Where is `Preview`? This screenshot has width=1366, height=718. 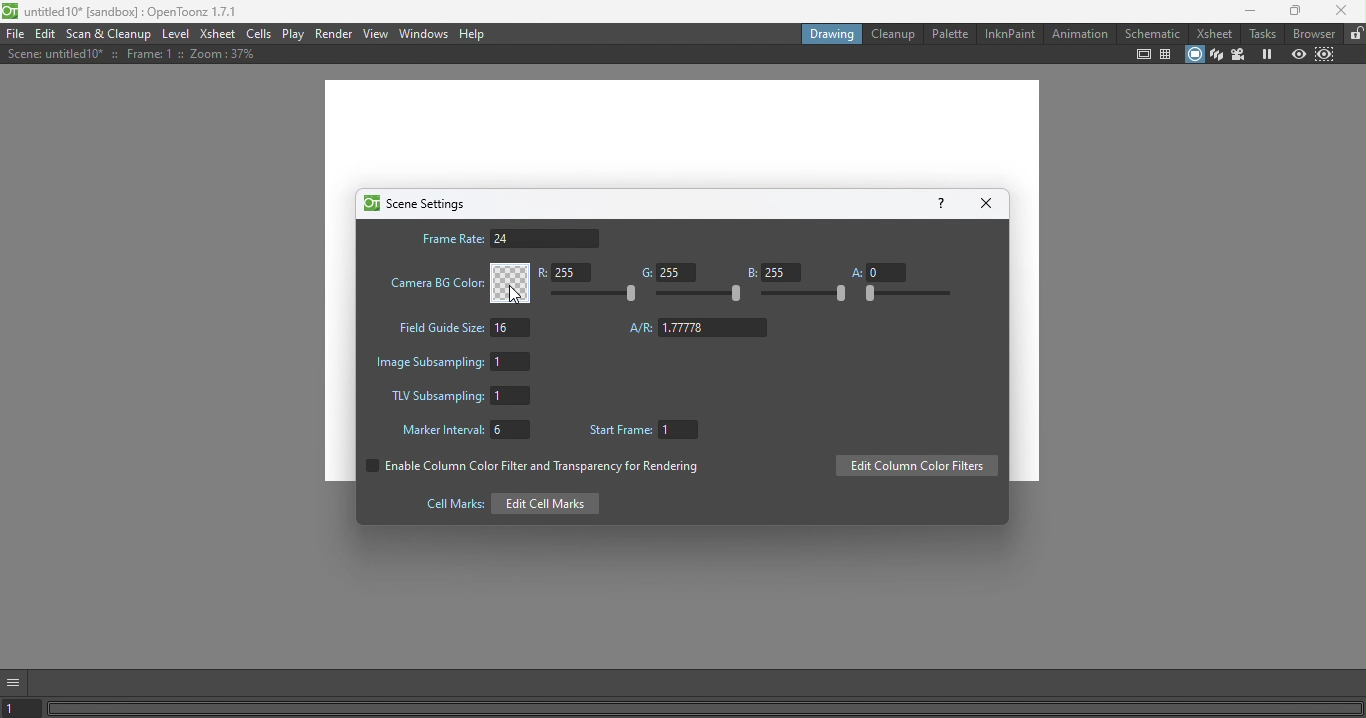 Preview is located at coordinates (1299, 54).